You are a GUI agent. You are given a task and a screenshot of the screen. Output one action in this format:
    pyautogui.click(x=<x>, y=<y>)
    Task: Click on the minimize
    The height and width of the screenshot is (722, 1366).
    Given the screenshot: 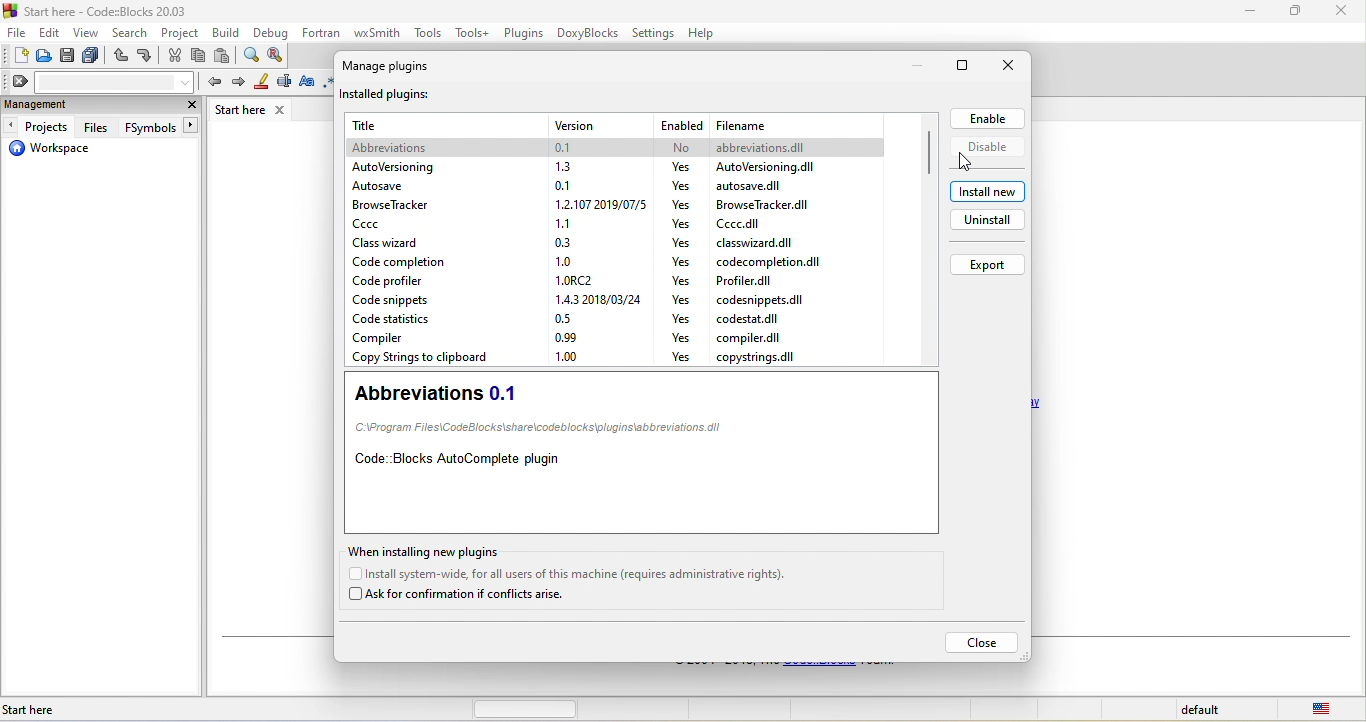 What is the action you would take?
    pyautogui.click(x=1250, y=15)
    